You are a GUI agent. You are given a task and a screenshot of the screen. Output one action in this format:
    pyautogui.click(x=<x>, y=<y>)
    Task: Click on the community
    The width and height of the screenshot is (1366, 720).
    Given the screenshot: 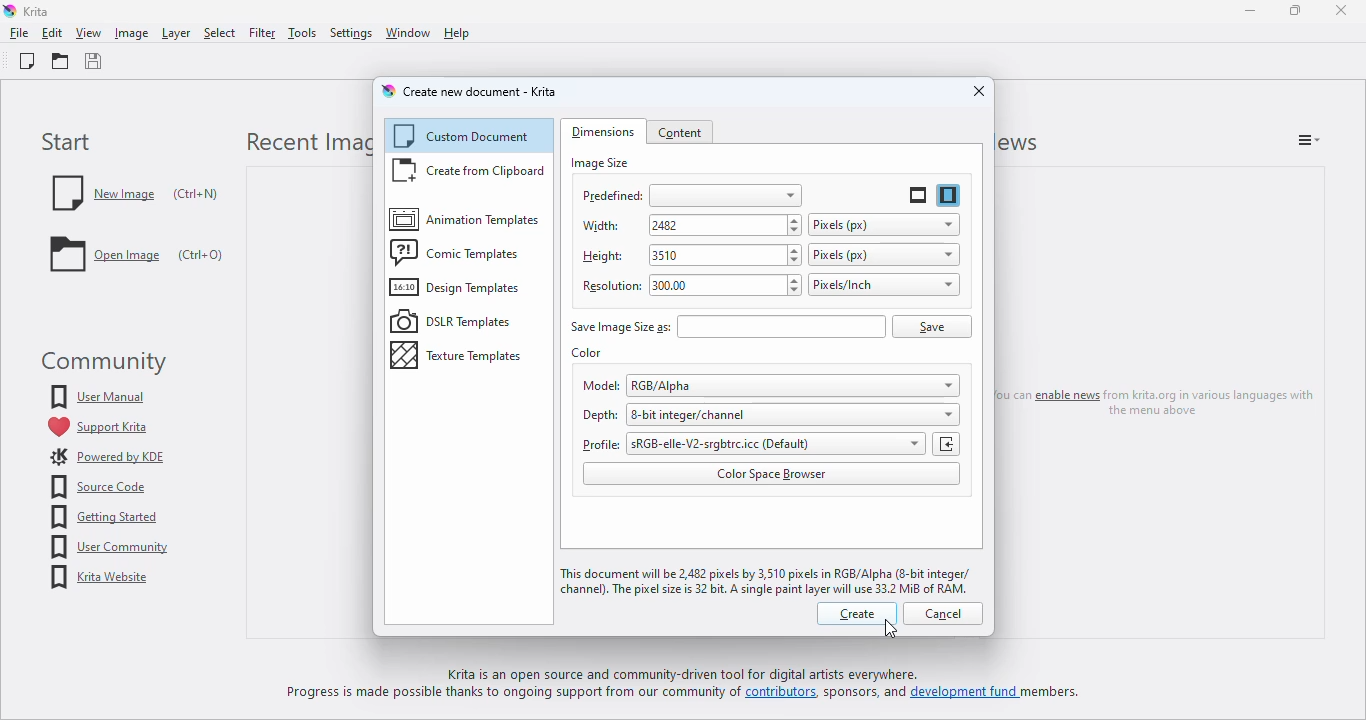 What is the action you would take?
    pyautogui.click(x=100, y=362)
    